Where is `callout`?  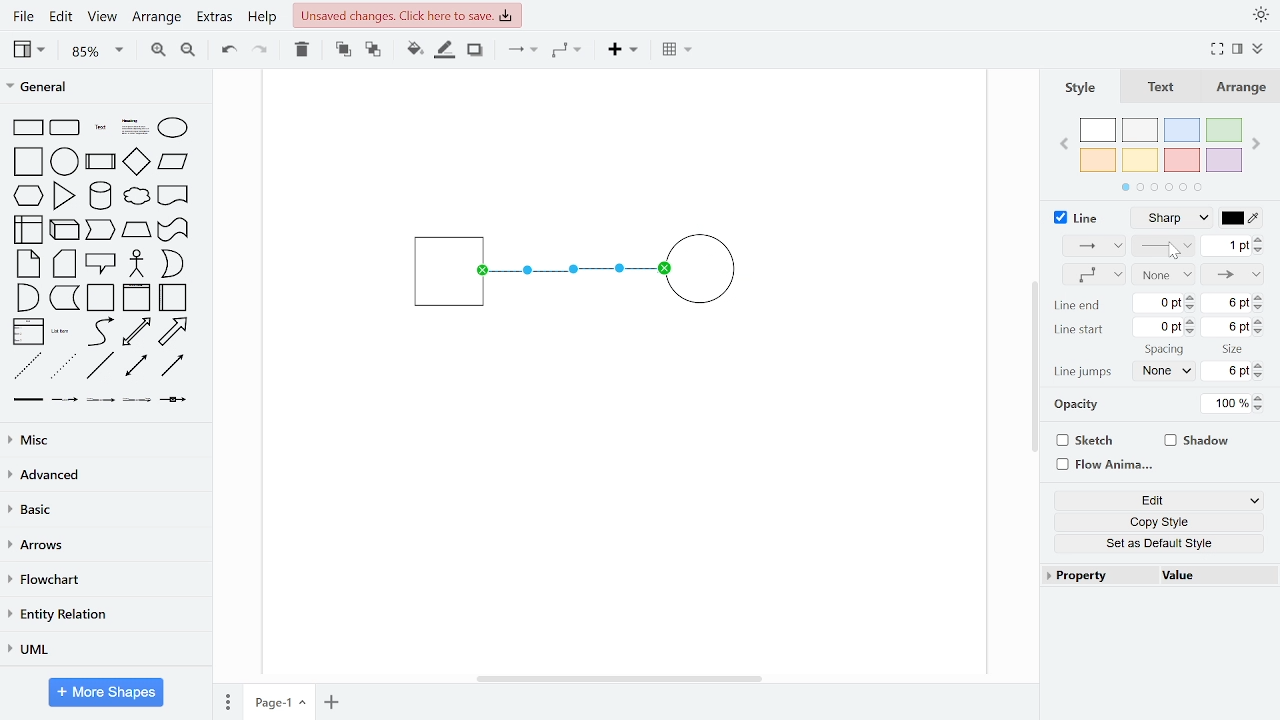
callout is located at coordinates (102, 264).